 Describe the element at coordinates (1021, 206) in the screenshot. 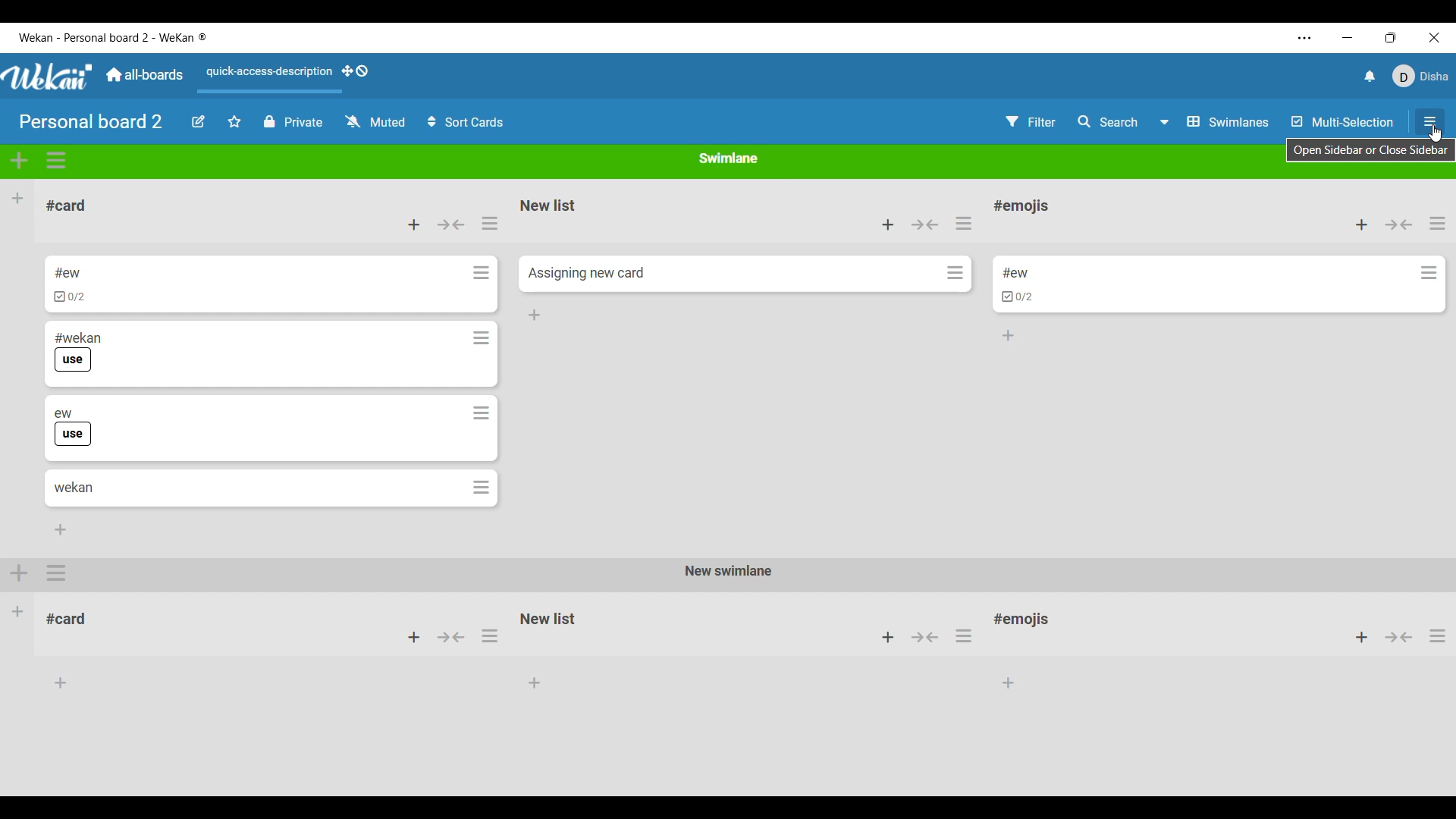

I see `List title` at that location.